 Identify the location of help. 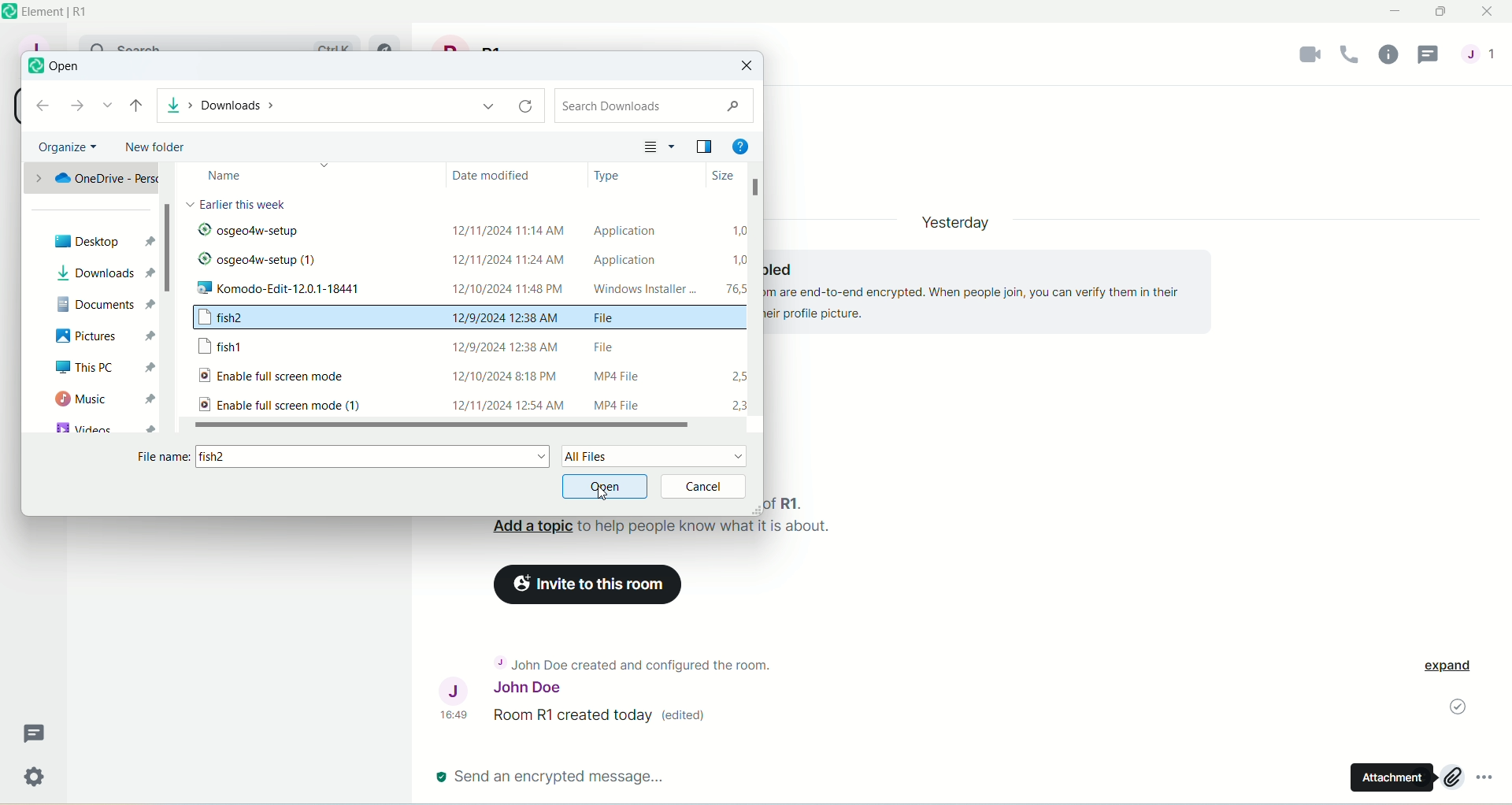
(744, 146).